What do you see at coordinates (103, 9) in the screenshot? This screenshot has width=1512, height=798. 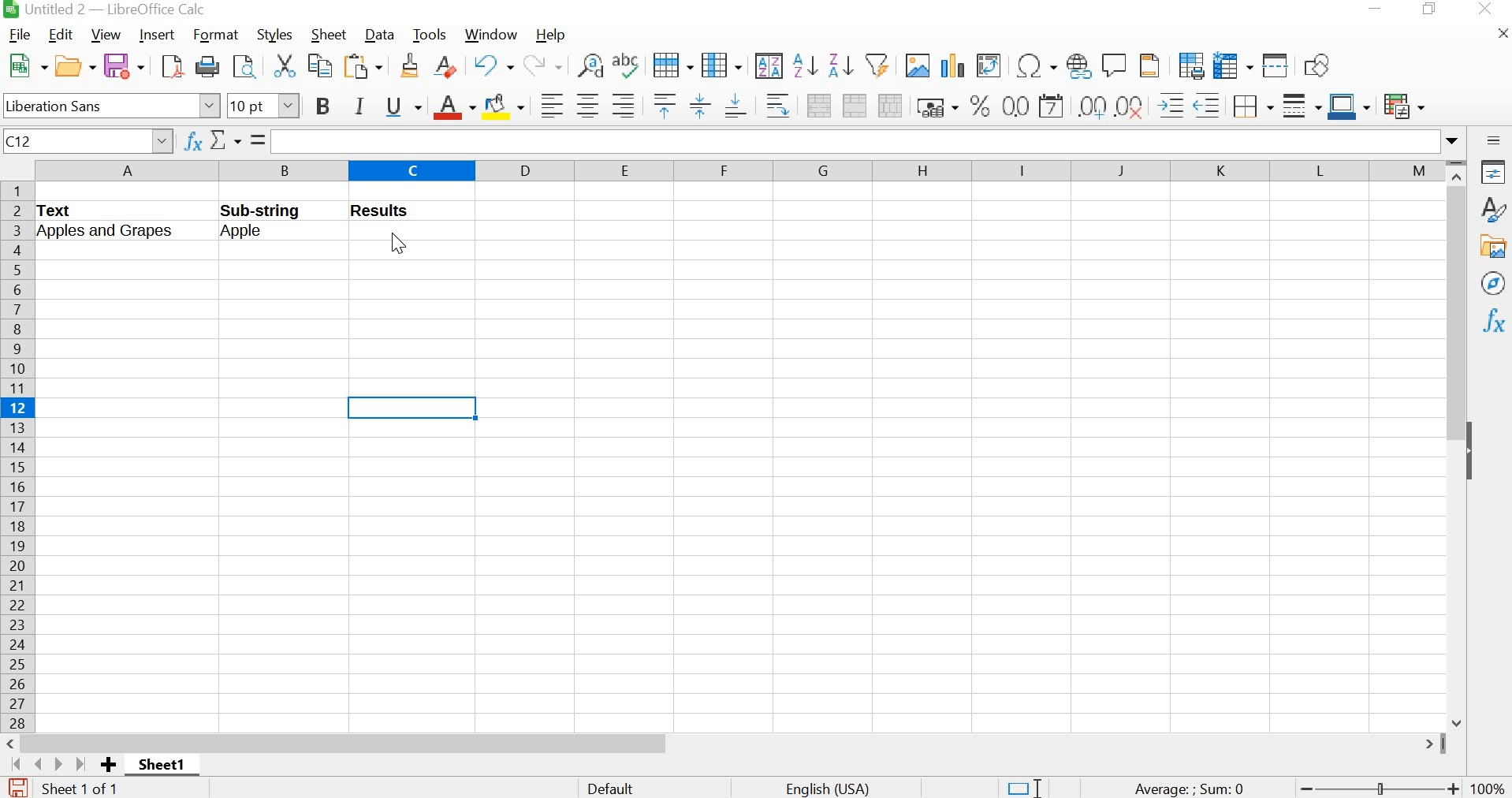 I see `file name` at bounding box center [103, 9].